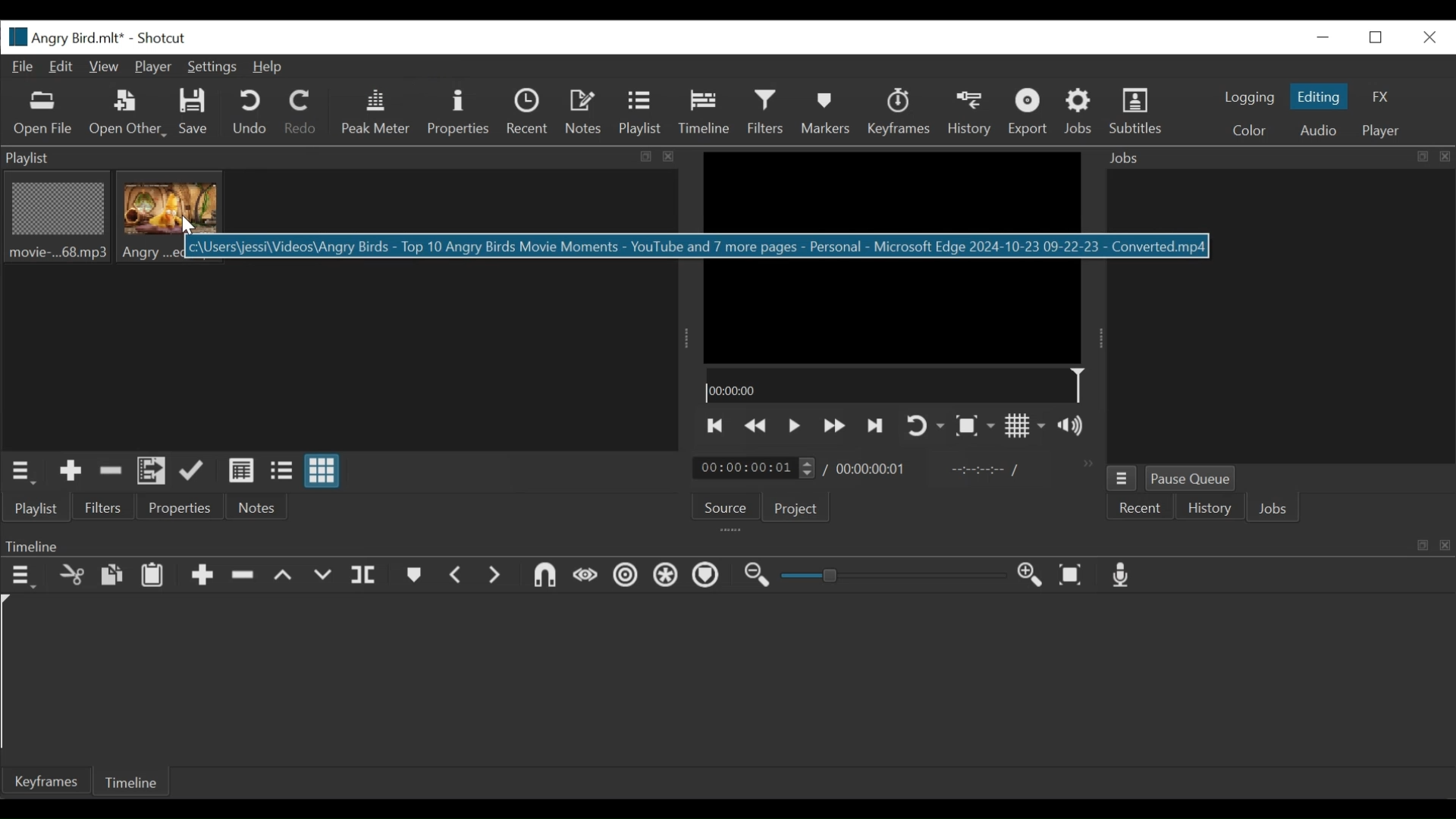 This screenshot has width=1456, height=819. Describe the element at coordinates (894, 256) in the screenshot. I see `Media Viewer` at that location.